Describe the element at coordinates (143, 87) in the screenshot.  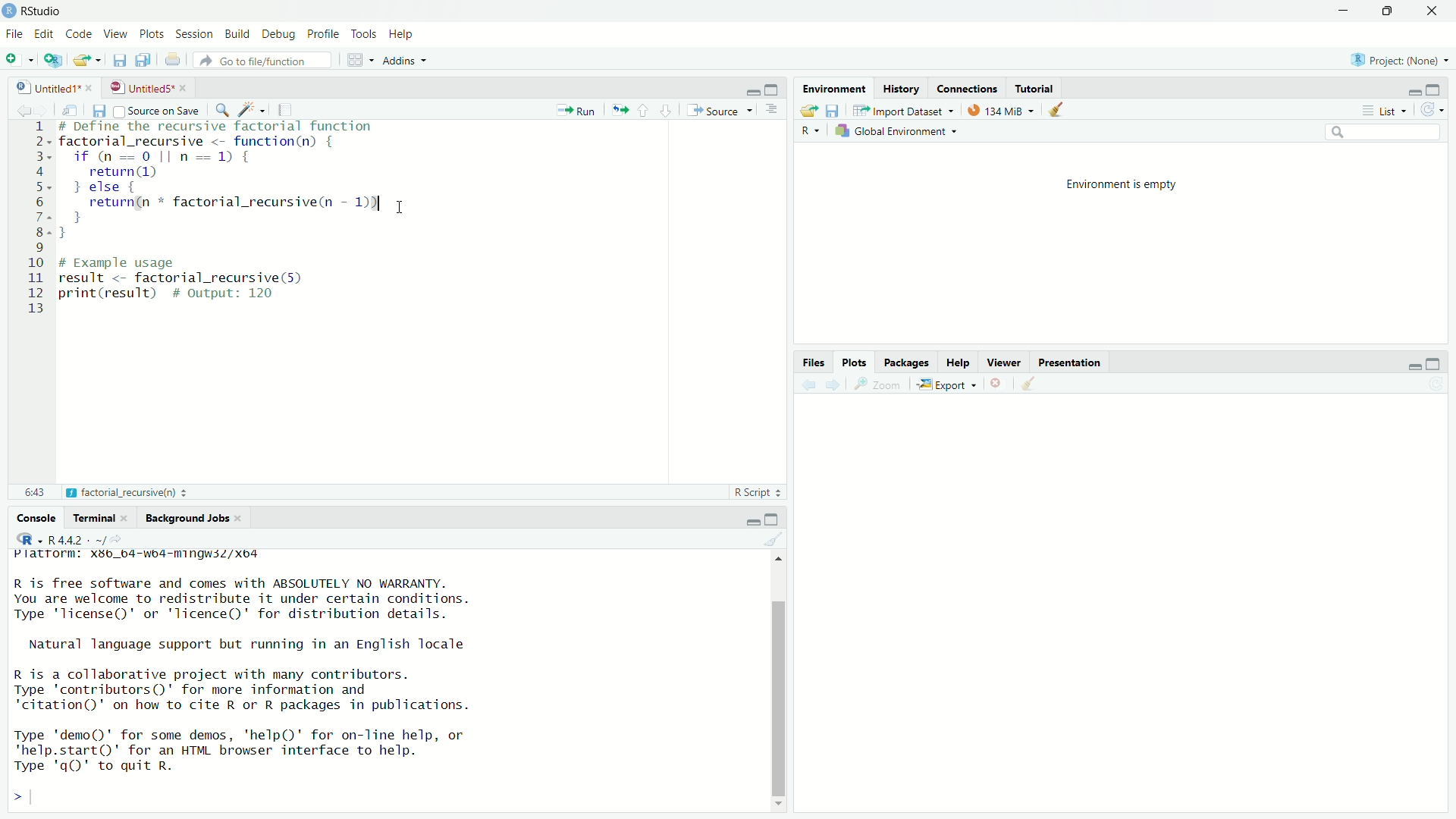
I see `Untitled5*` at that location.